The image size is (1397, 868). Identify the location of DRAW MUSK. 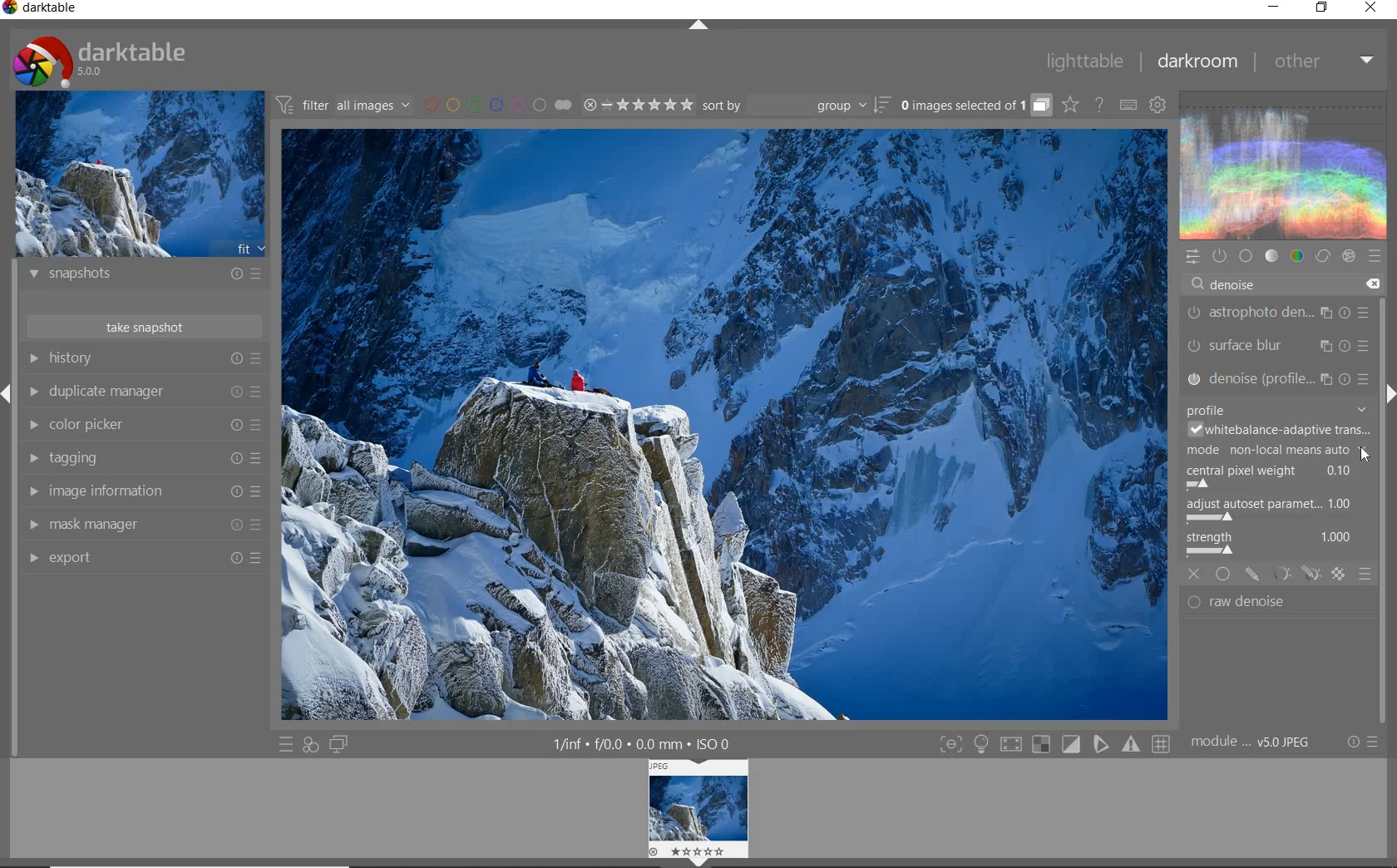
(1252, 575).